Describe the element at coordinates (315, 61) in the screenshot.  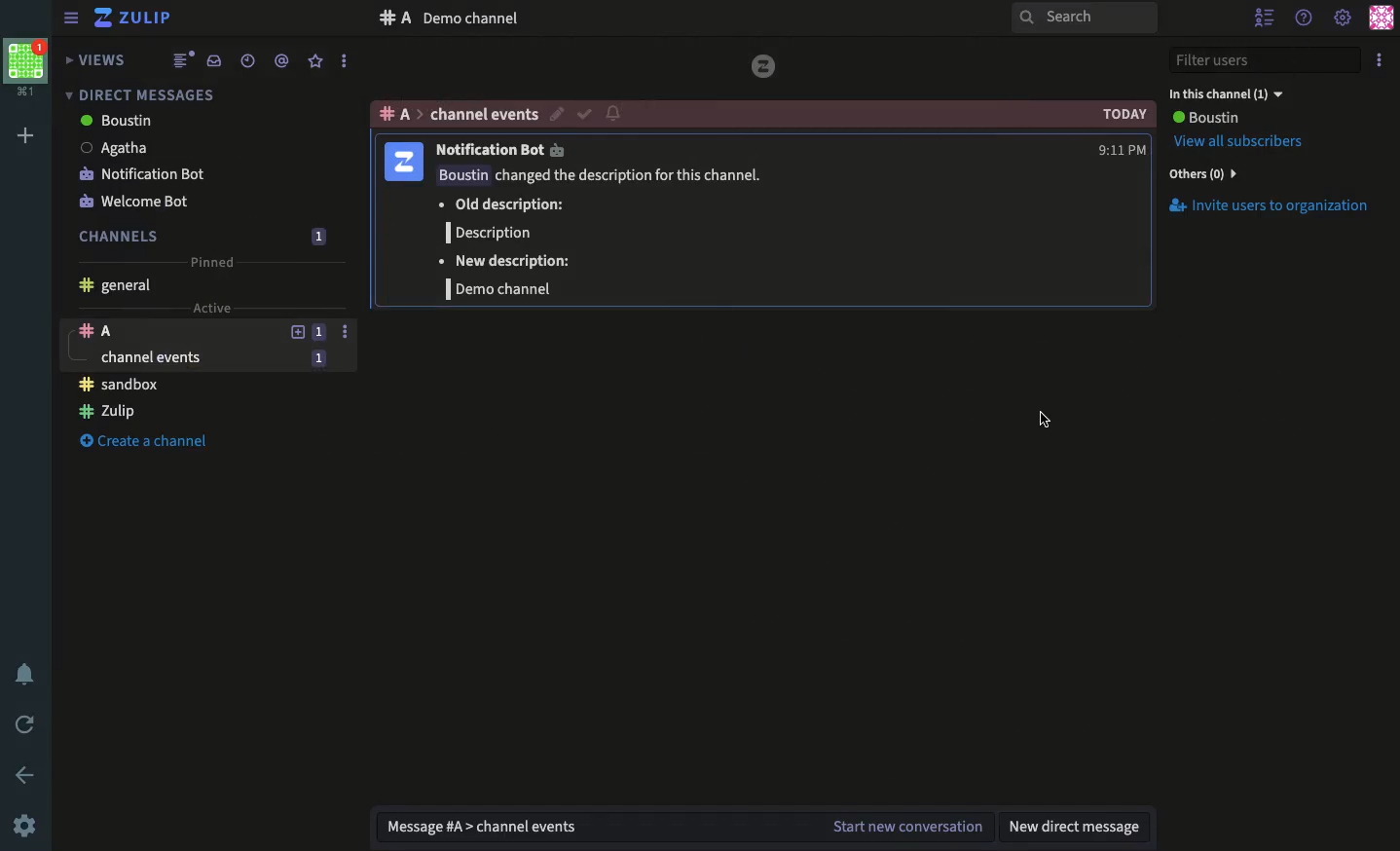
I see `Favorite` at that location.